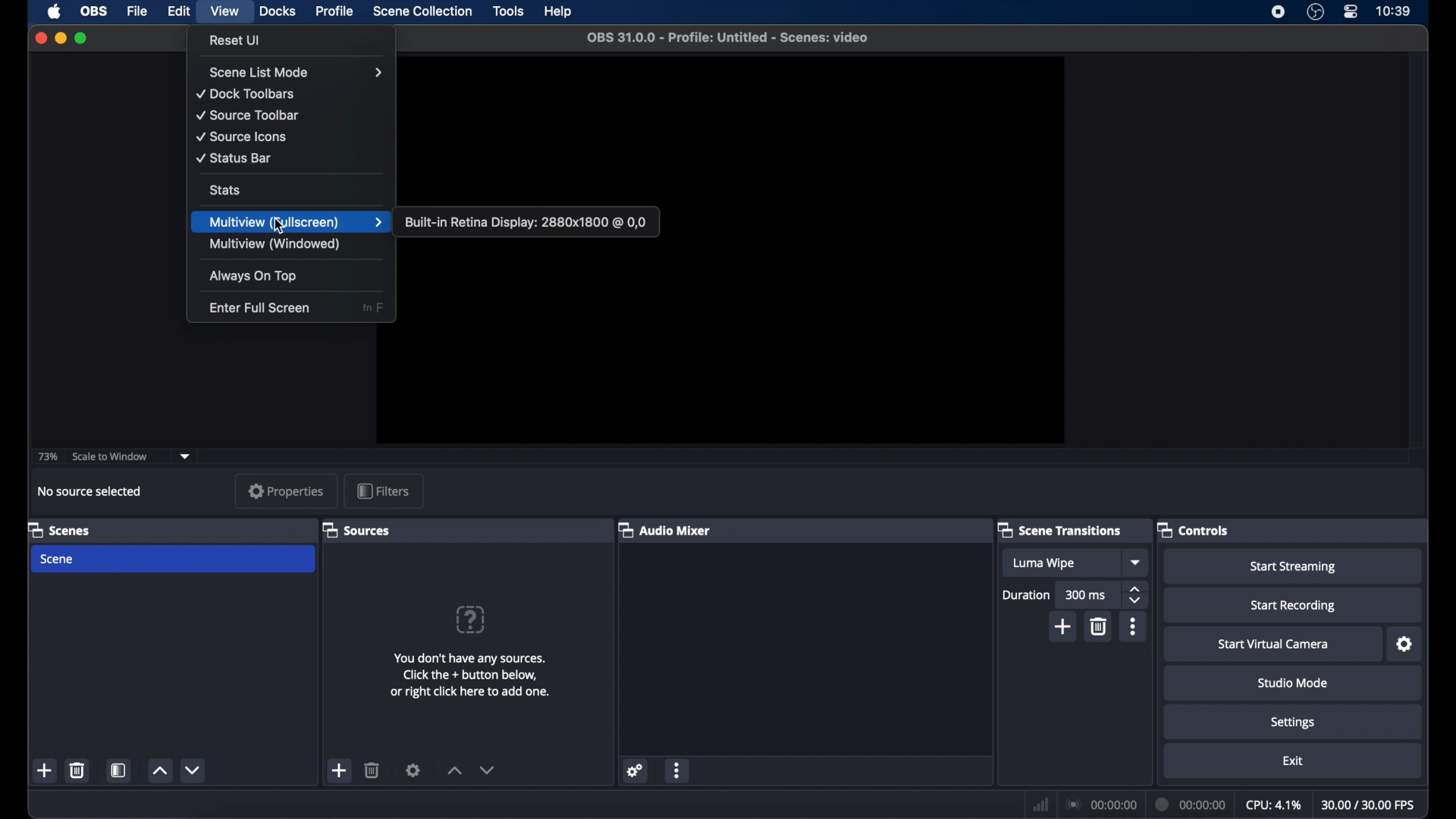 The image size is (1456, 819). What do you see at coordinates (667, 529) in the screenshot?
I see `audio mixer` at bounding box center [667, 529].